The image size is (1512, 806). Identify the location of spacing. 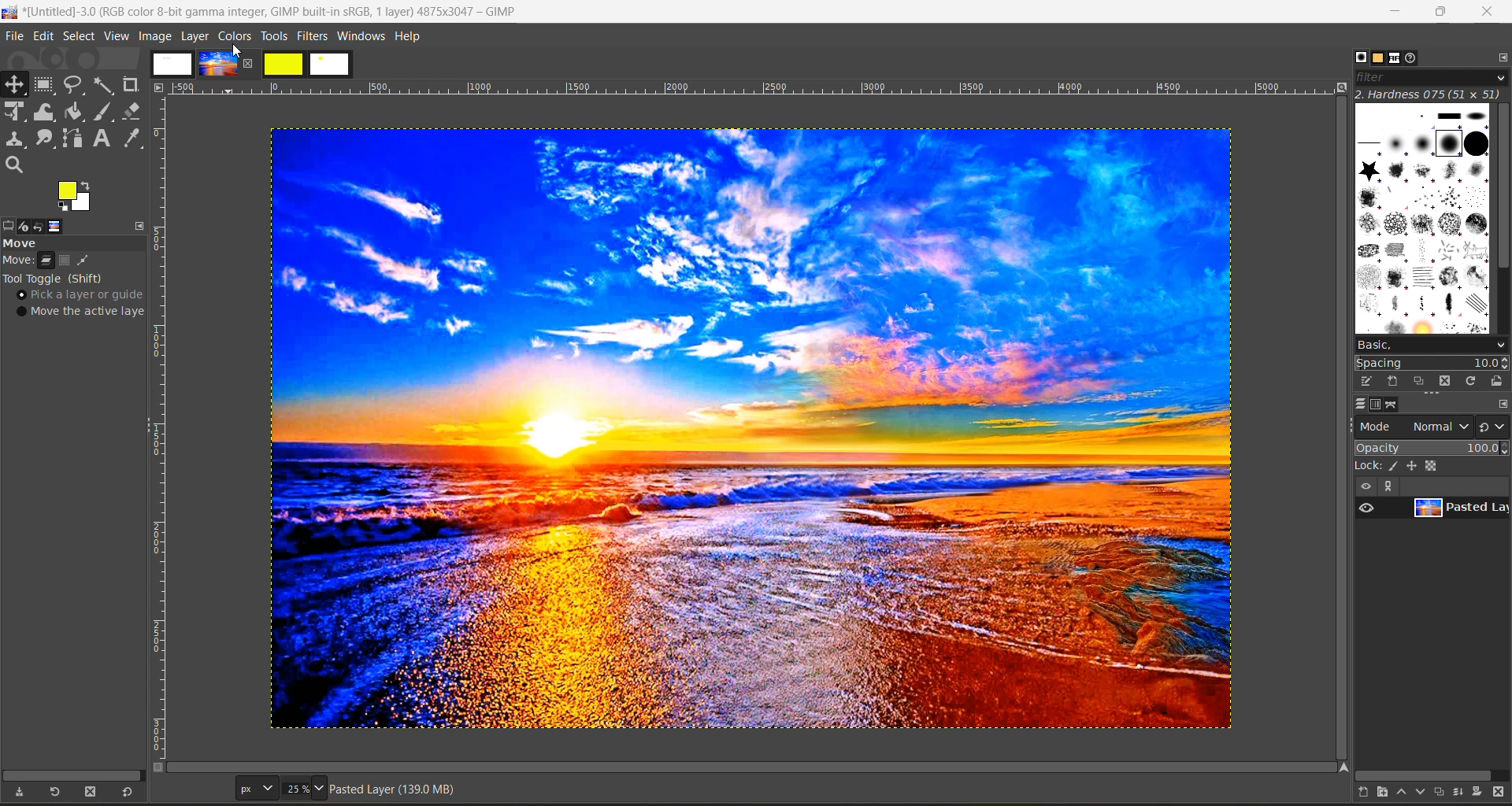
(1433, 364).